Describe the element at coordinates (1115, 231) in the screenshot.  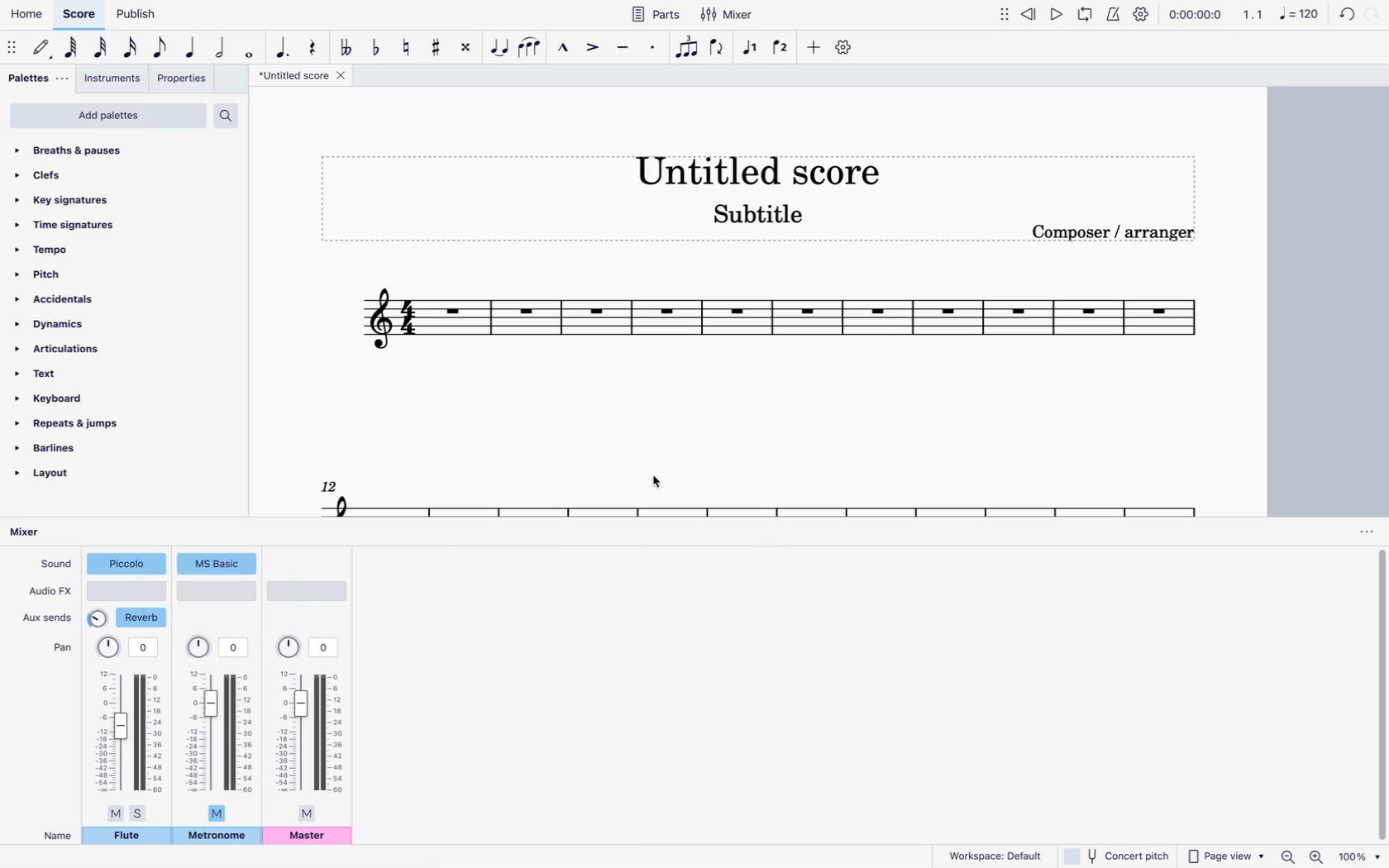
I see `composer / arranger` at that location.